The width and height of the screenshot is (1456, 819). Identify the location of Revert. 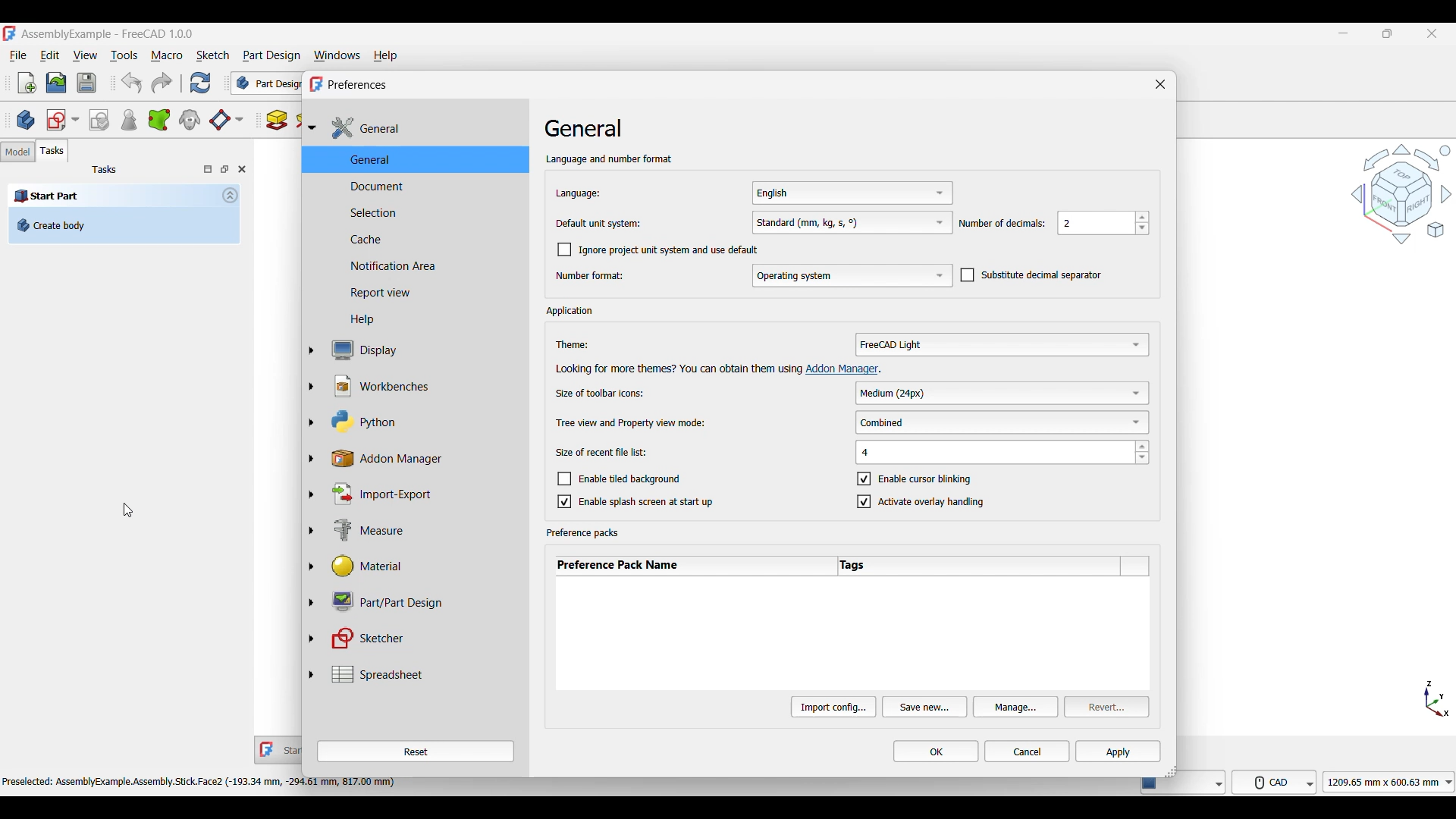
(1107, 707).